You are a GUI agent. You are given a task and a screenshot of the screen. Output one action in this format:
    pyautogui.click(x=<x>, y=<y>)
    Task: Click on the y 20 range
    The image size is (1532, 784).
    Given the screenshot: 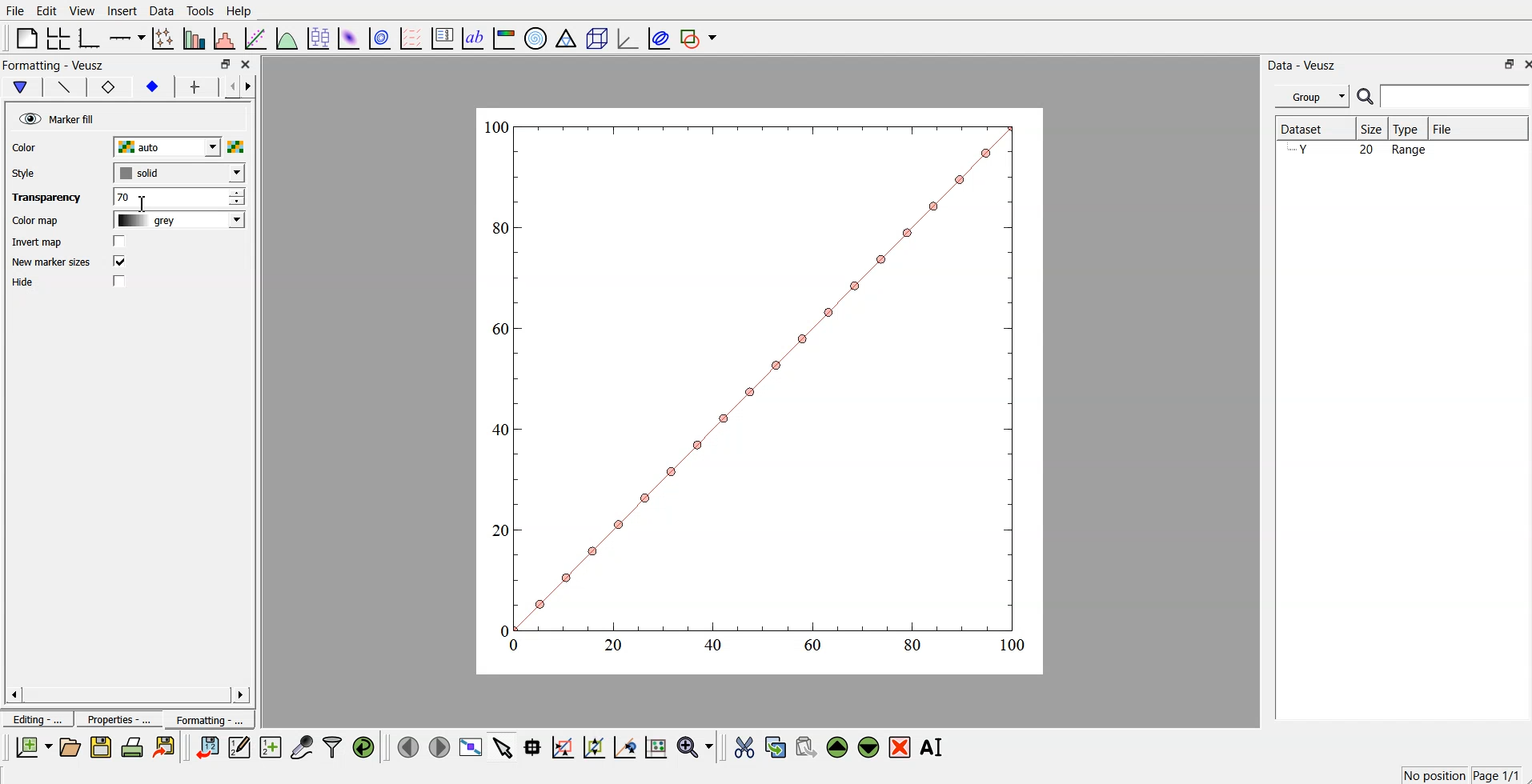 What is the action you would take?
    pyautogui.click(x=1362, y=151)
    